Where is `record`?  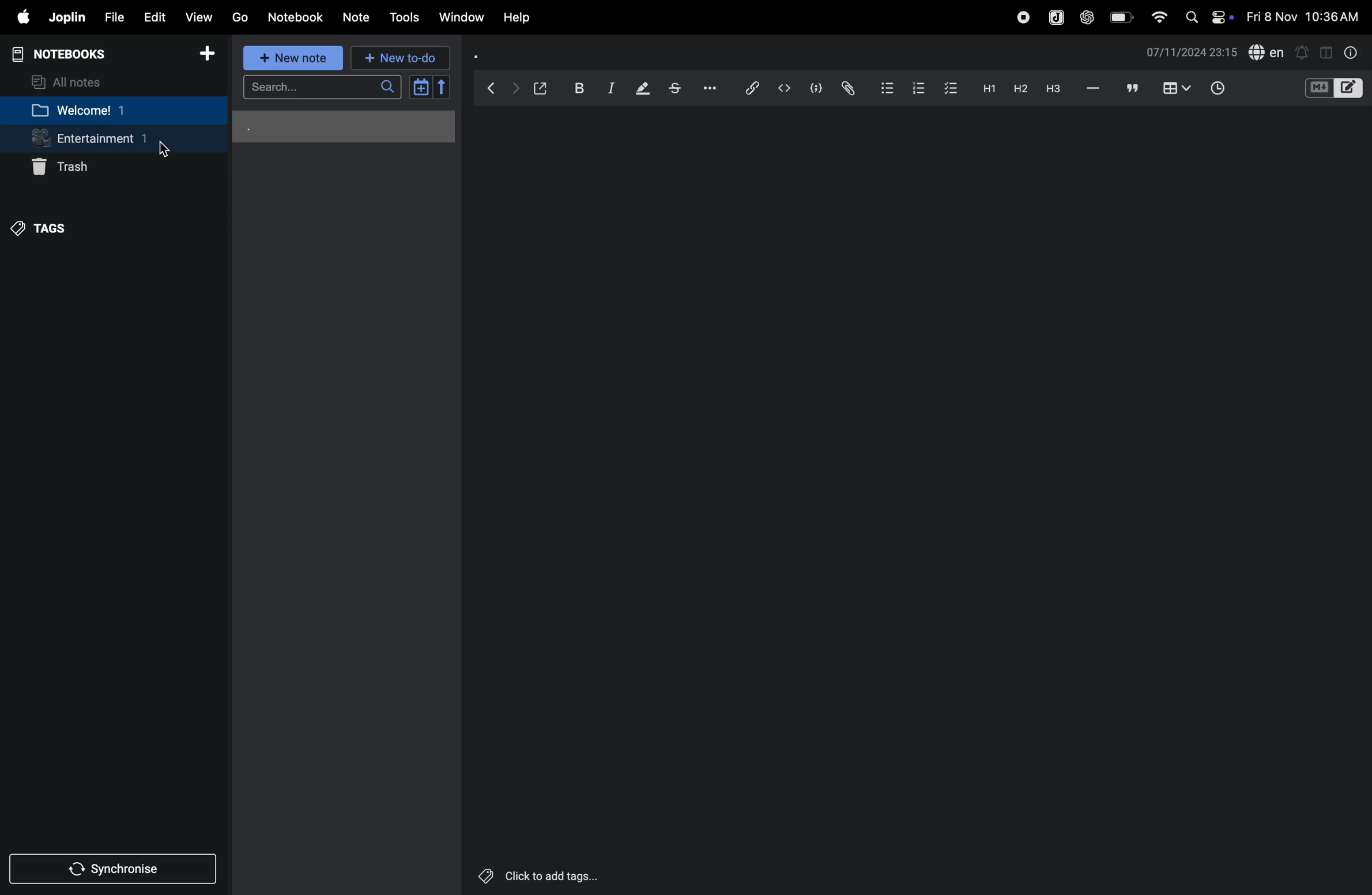 record is located at coordinates (1023, 18).